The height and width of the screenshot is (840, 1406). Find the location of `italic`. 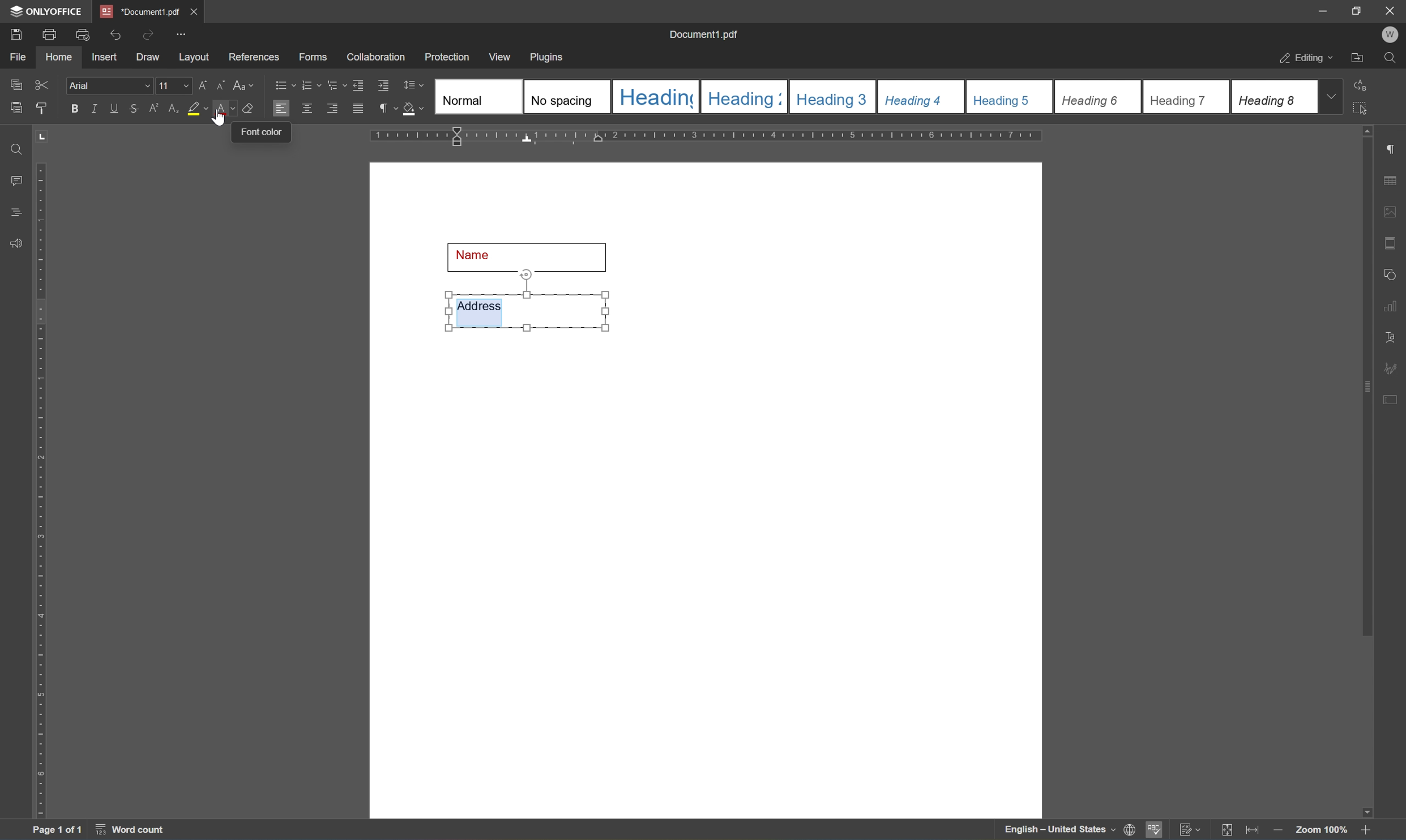

italic is located at coordinates (93, 108).